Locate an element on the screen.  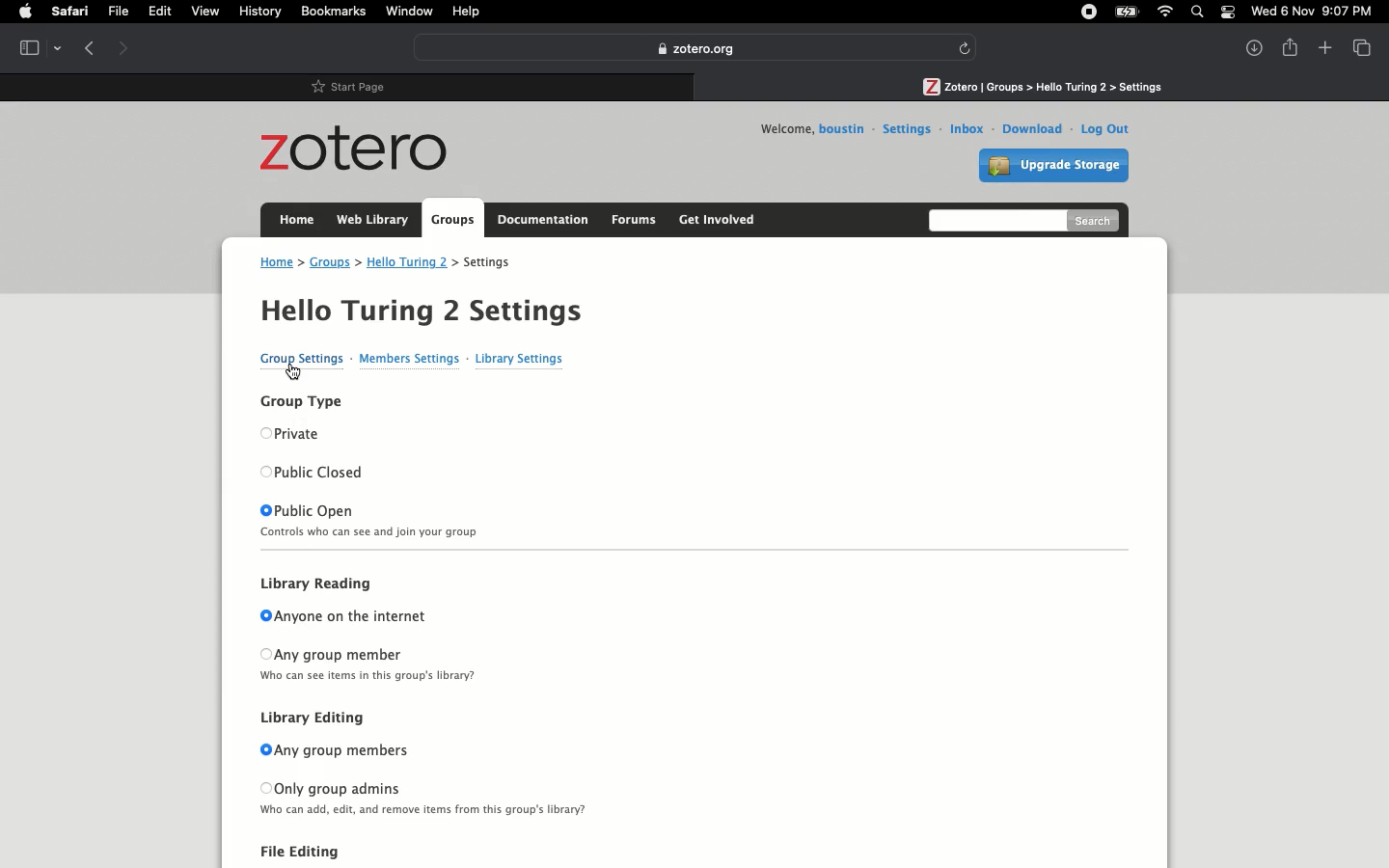
Welcome is located at coordinates (781, 128).